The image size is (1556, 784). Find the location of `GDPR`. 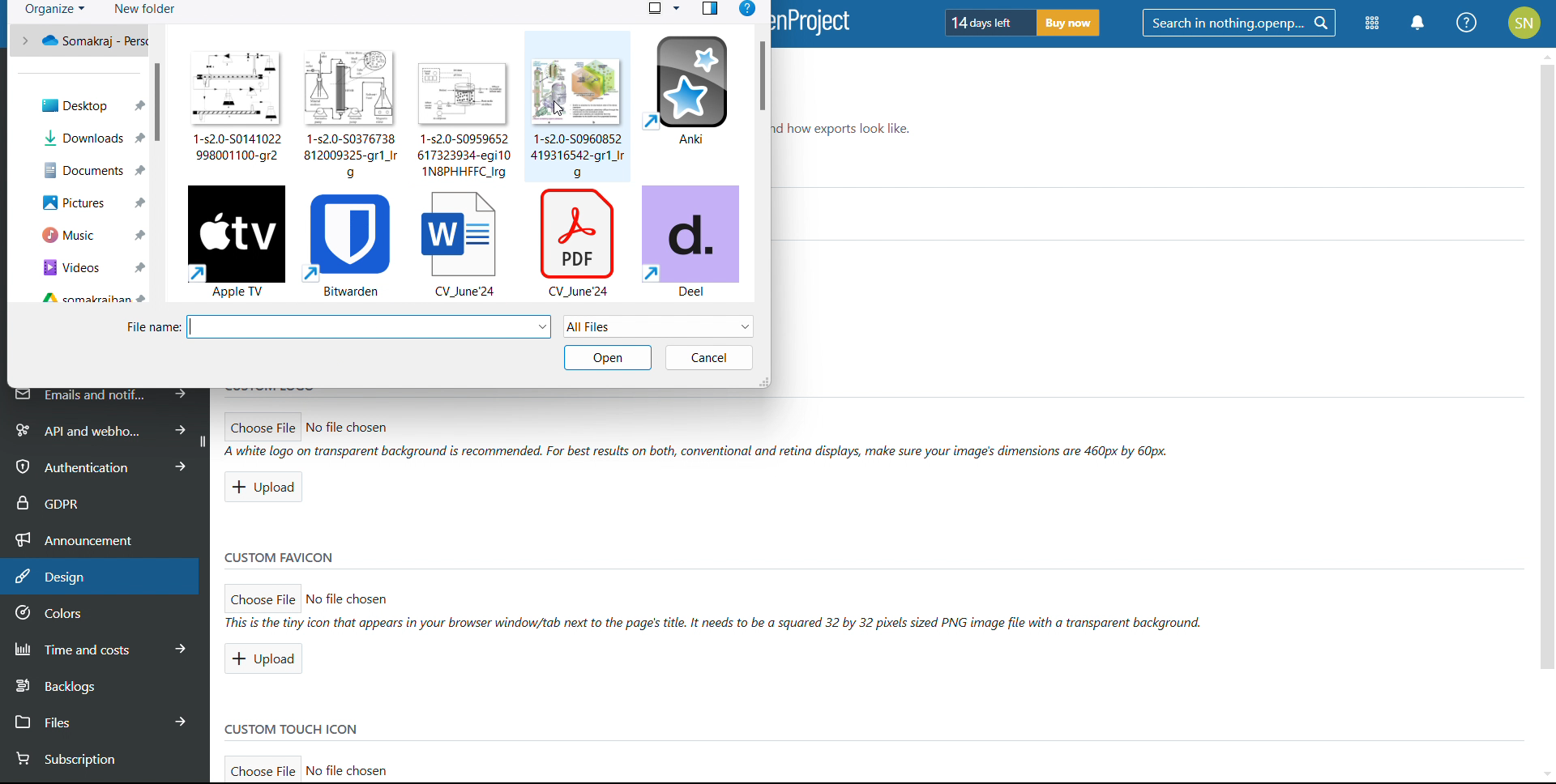

GDPR is located at coordinates (104, 501).